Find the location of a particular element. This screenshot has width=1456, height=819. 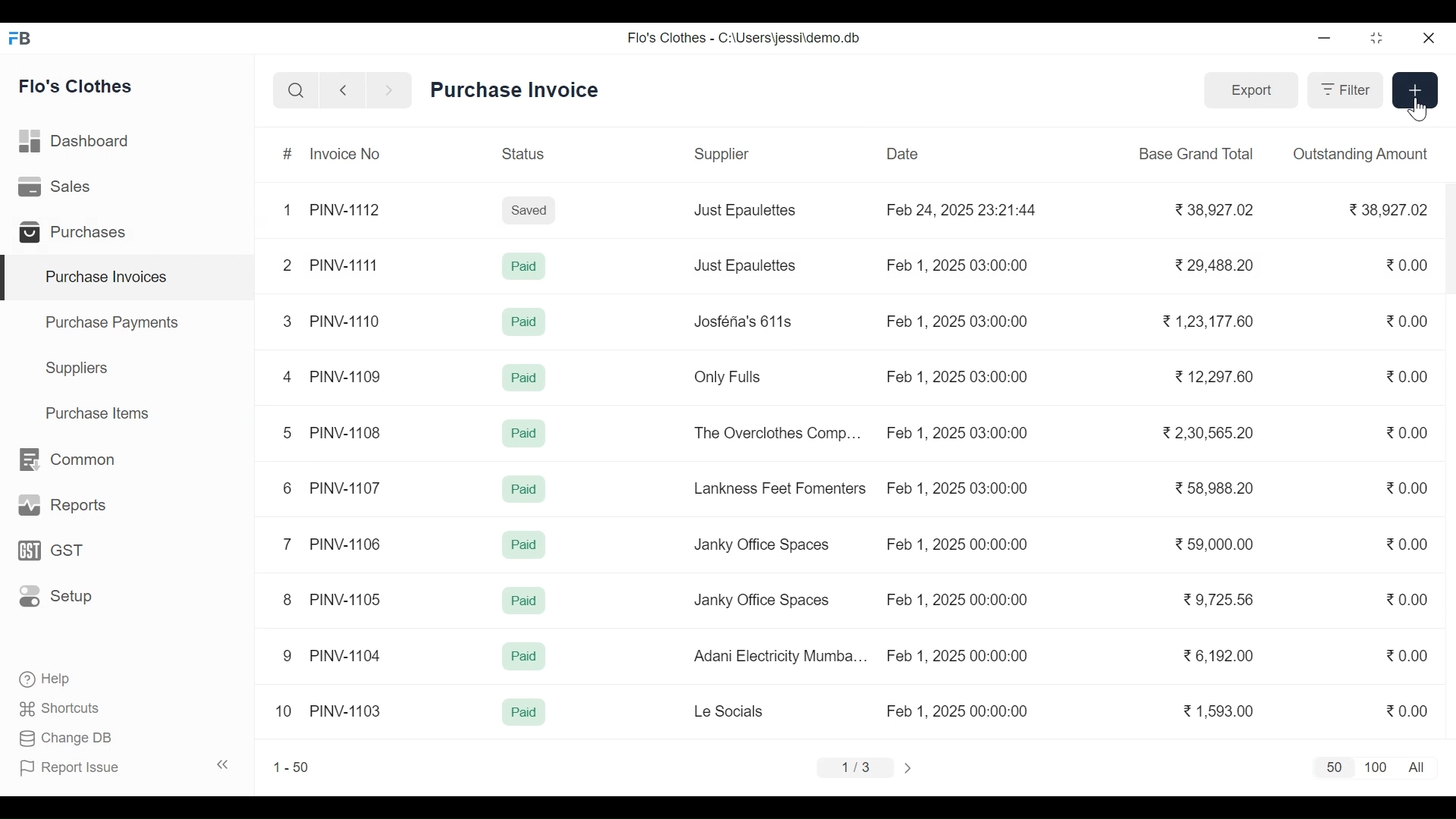

Paid is located at coordinates (524, 377).